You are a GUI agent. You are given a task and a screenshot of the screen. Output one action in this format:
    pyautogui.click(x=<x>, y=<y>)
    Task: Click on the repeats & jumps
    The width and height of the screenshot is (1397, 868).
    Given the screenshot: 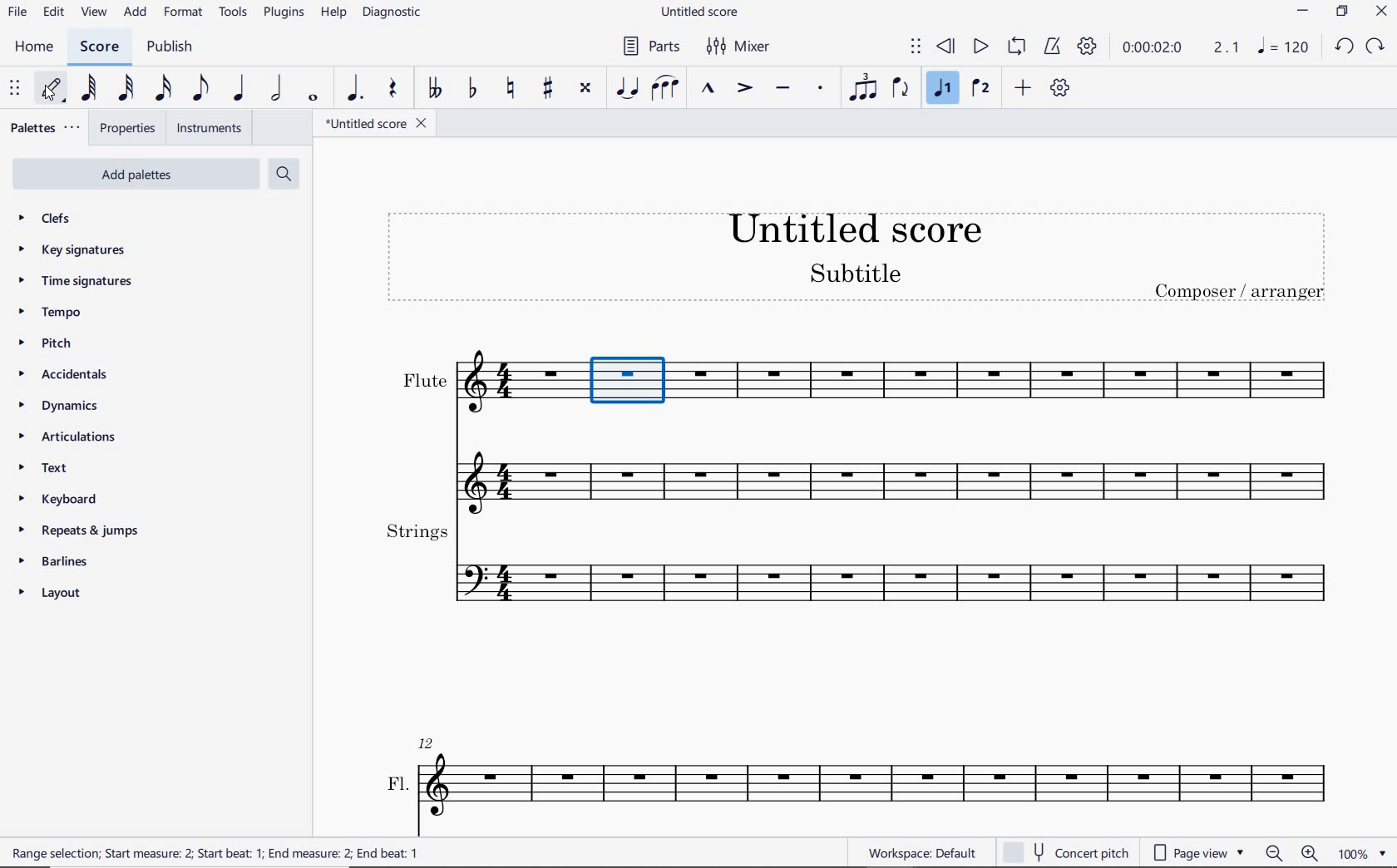 What is the action you would take?
    pyautogui.click(x=76, y=530)
    